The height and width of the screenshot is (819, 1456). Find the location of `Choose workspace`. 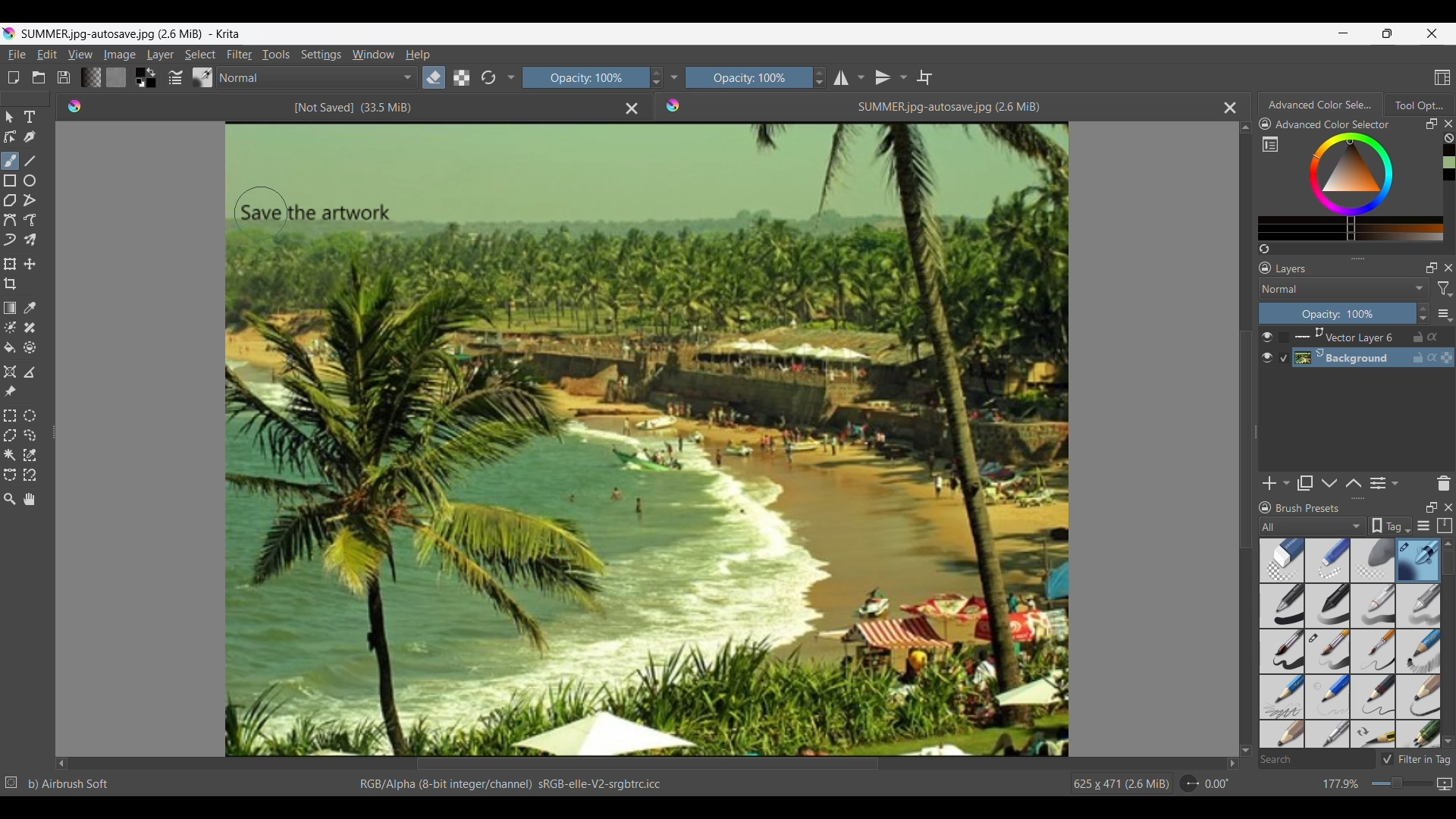

Choose workspace is located at coordinates (1442, 77).